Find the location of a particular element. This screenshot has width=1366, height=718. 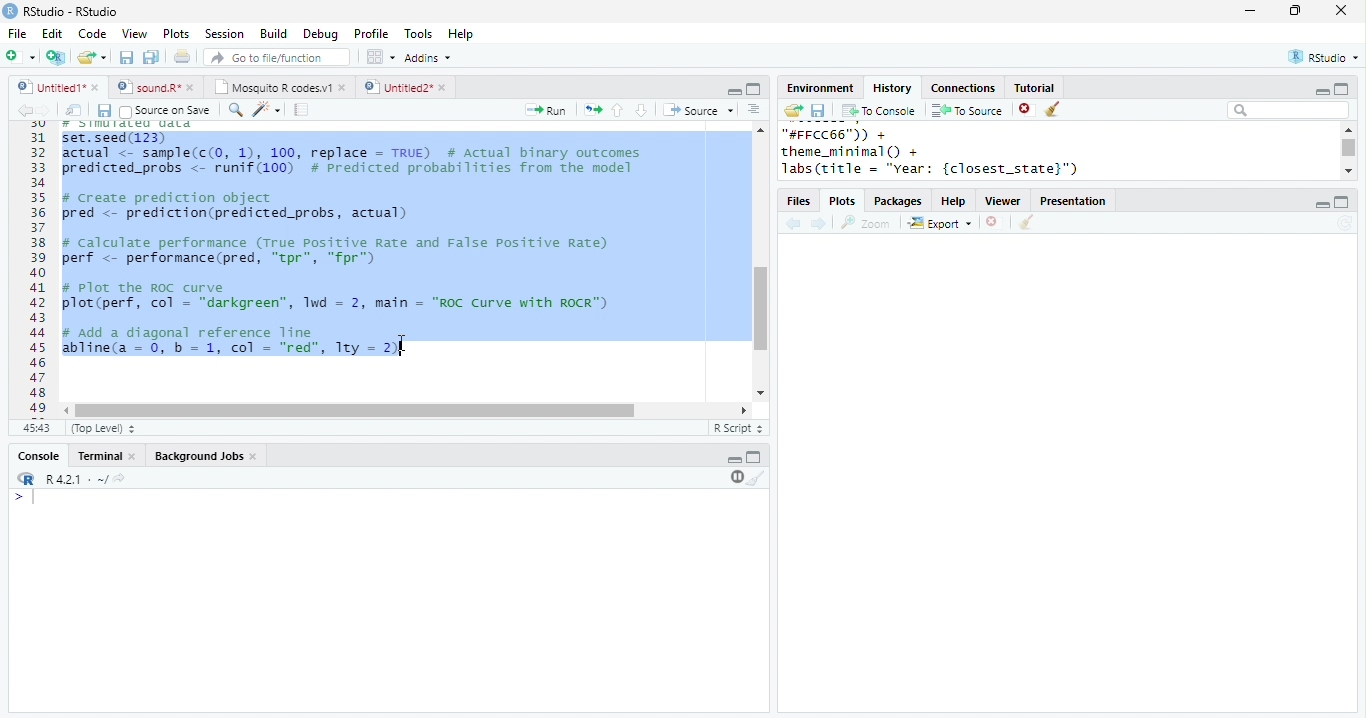

forward is located at coordinates (820, 225).